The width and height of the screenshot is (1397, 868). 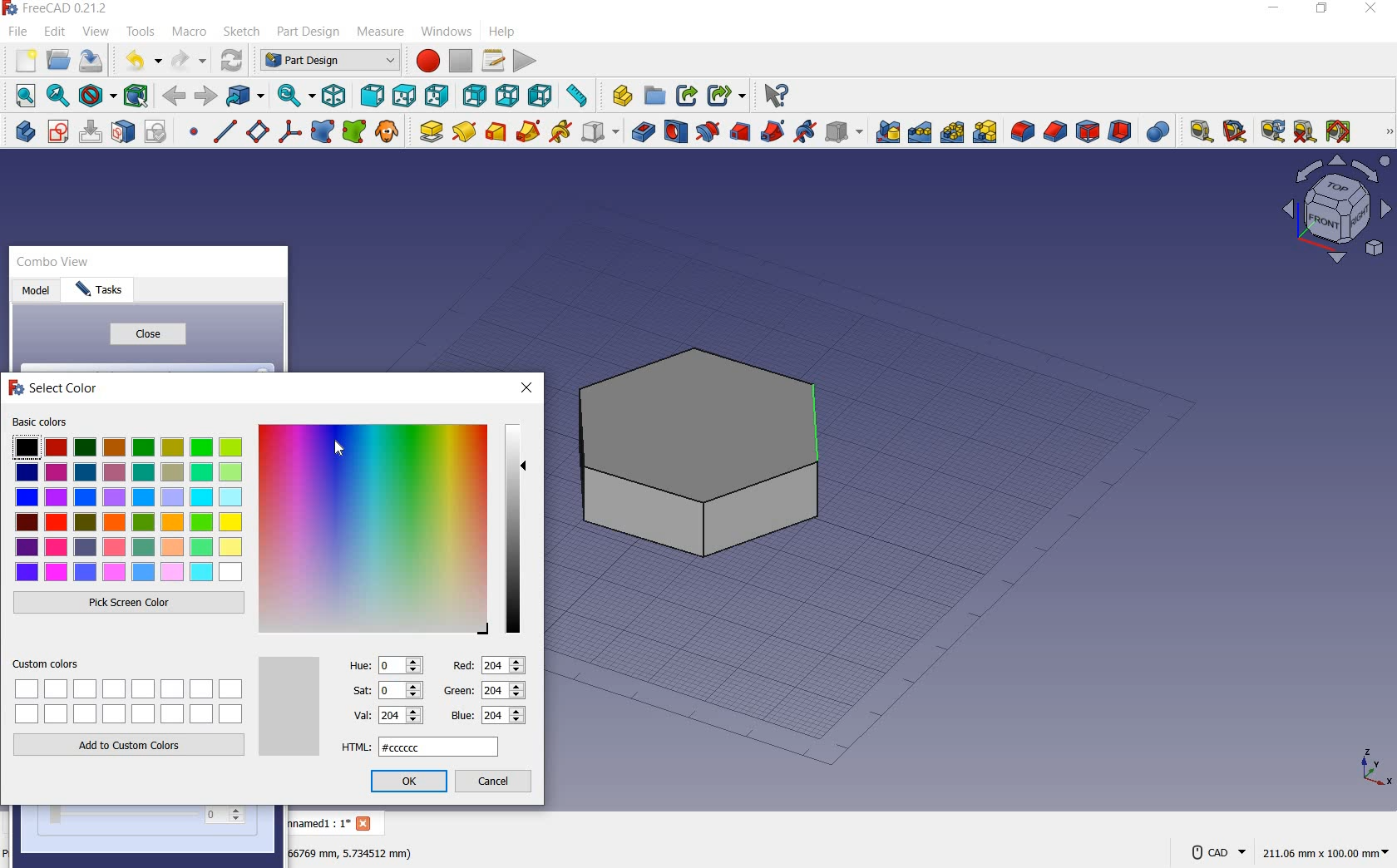 I want to click on measure distance, so click(x=580, y=96).